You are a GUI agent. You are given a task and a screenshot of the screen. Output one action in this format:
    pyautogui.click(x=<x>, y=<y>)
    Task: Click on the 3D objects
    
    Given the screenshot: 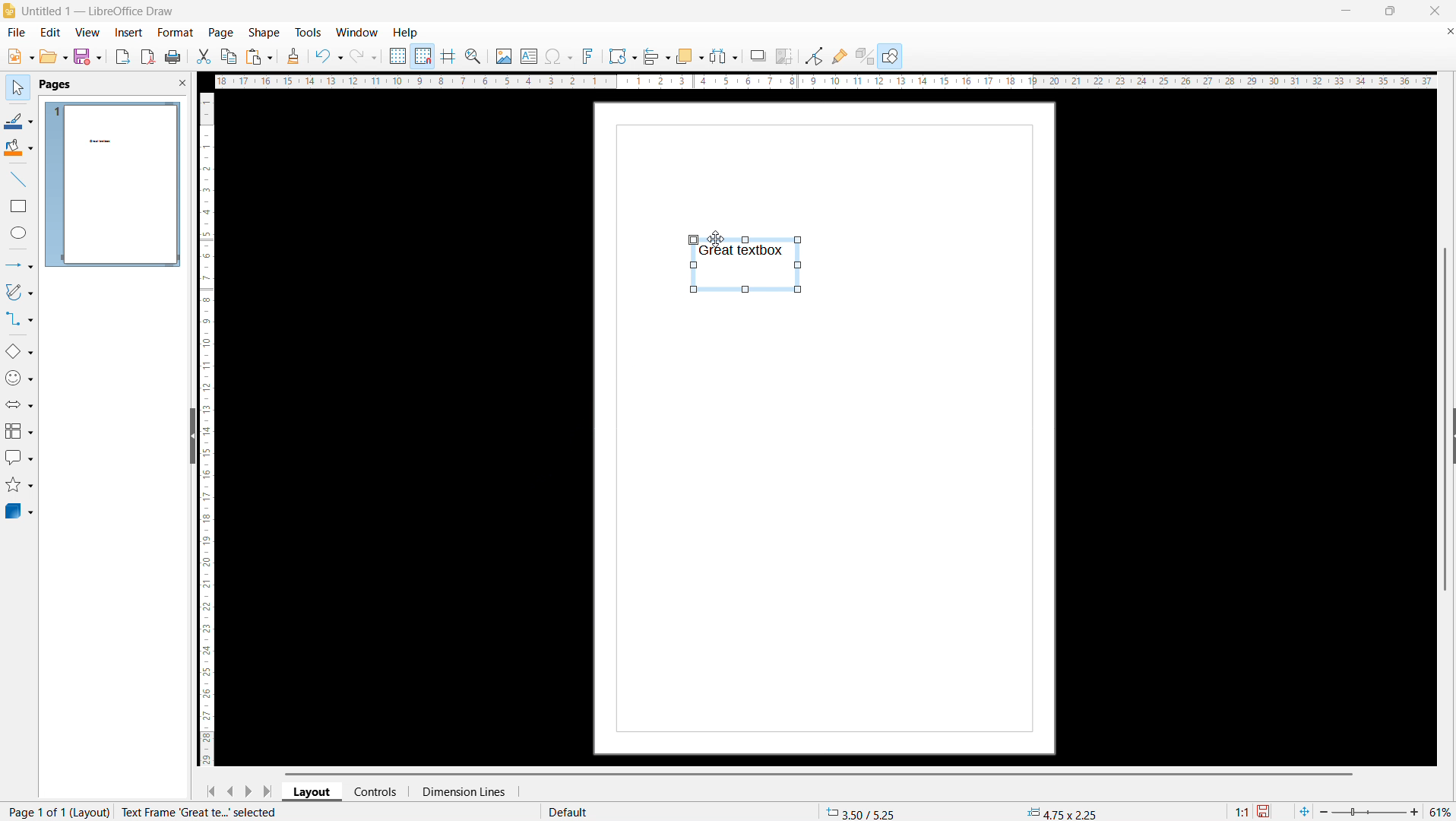 What is the action you would take?
    pyautogui.click(x=20, y=512)
    